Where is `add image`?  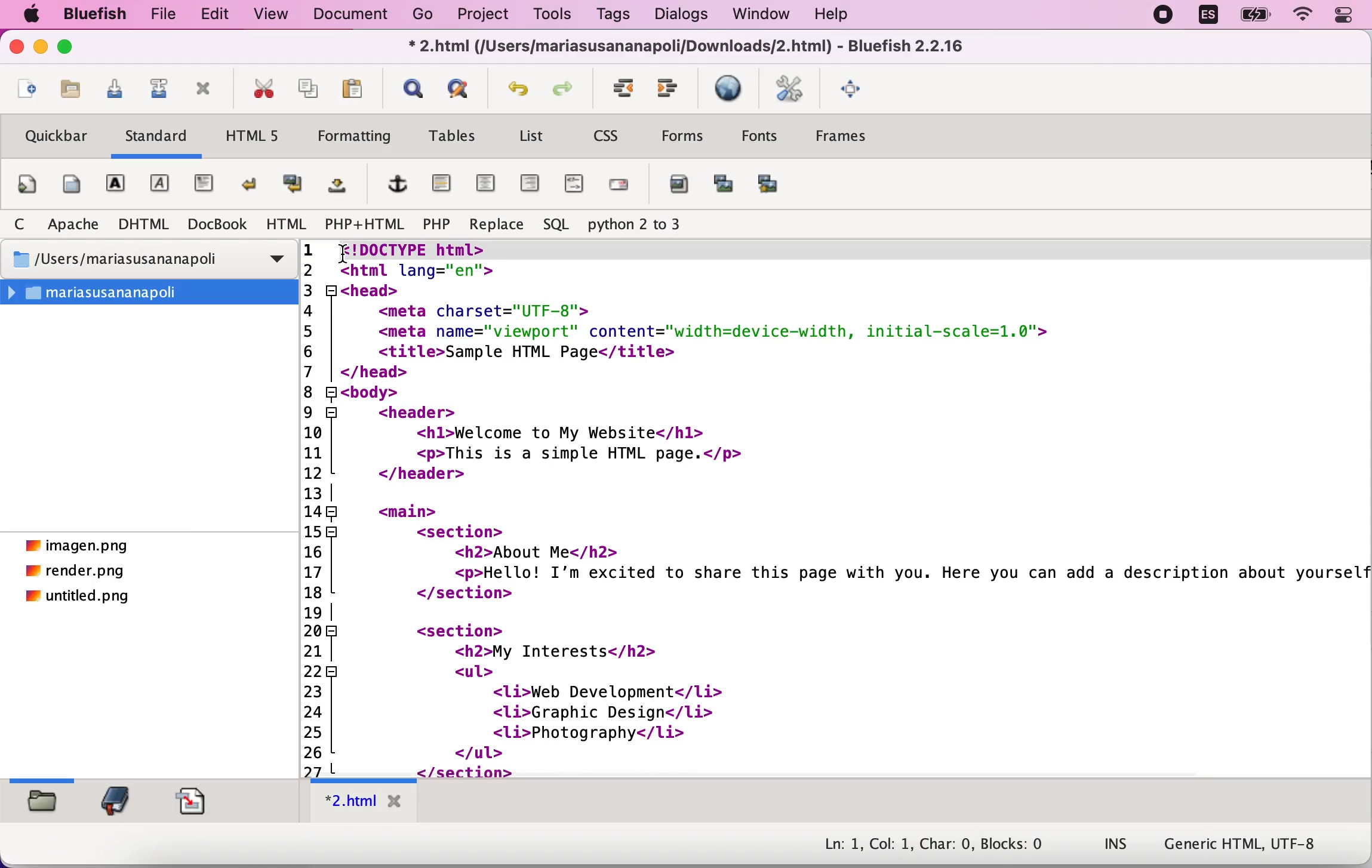 add image is located at coordinates (679, 190).